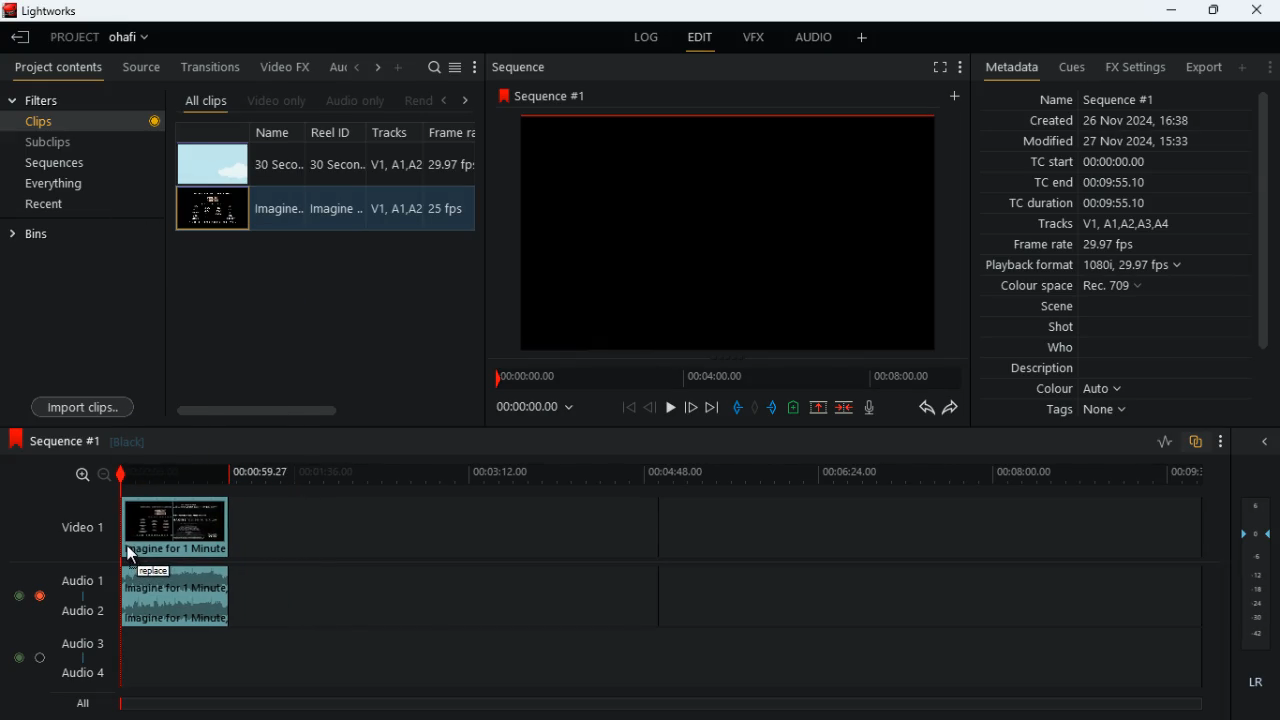 Image resolution: width=1280 pixels, height=720 pixels. What do you see at coordinates (1008, 66) in the screenshot?
I see `metadata` at bounding box center [1008, 66].